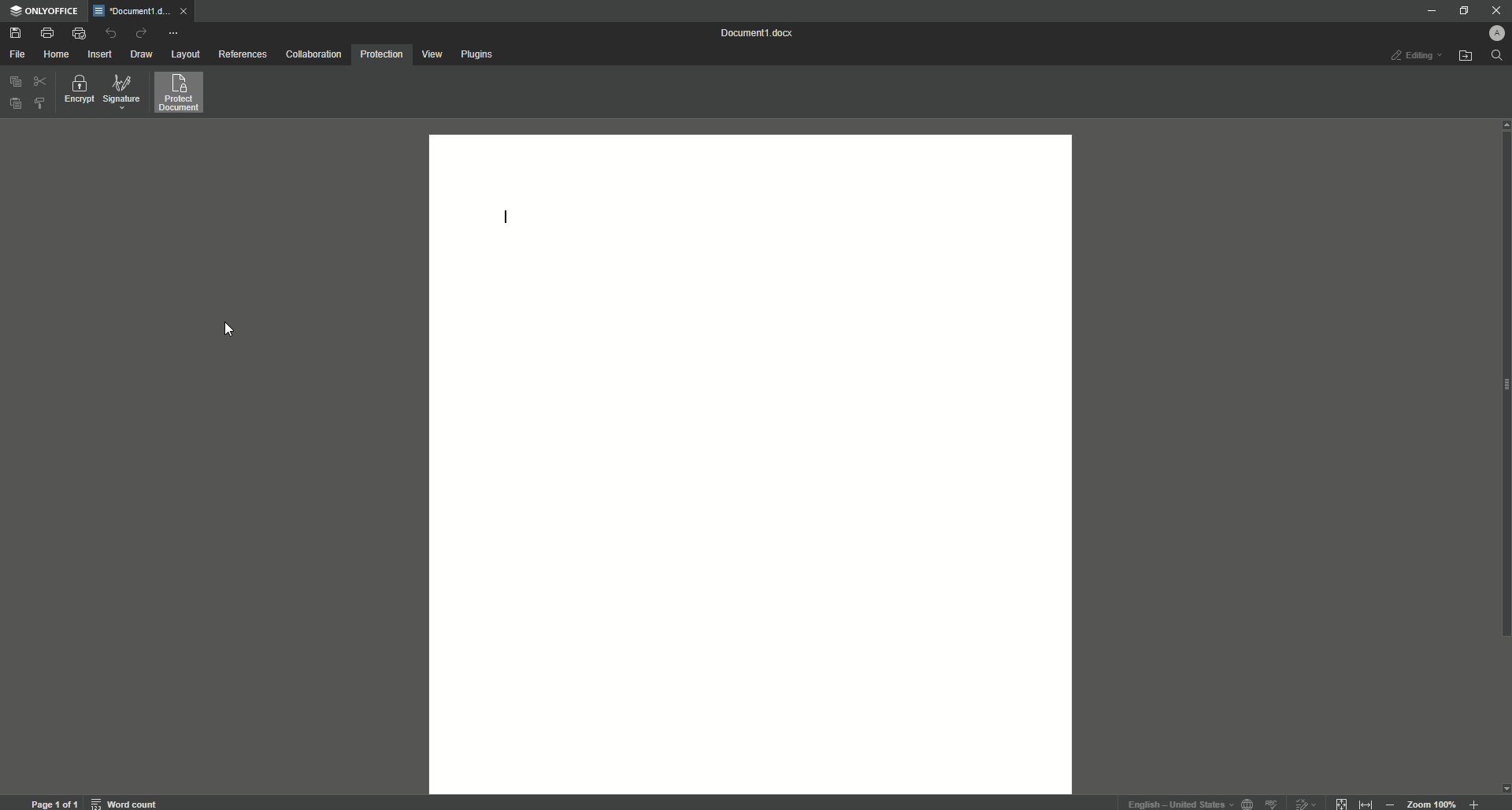 The height and width of the screenshot is (810, 1512). I want to click on Tab 1, so click(132, 13).